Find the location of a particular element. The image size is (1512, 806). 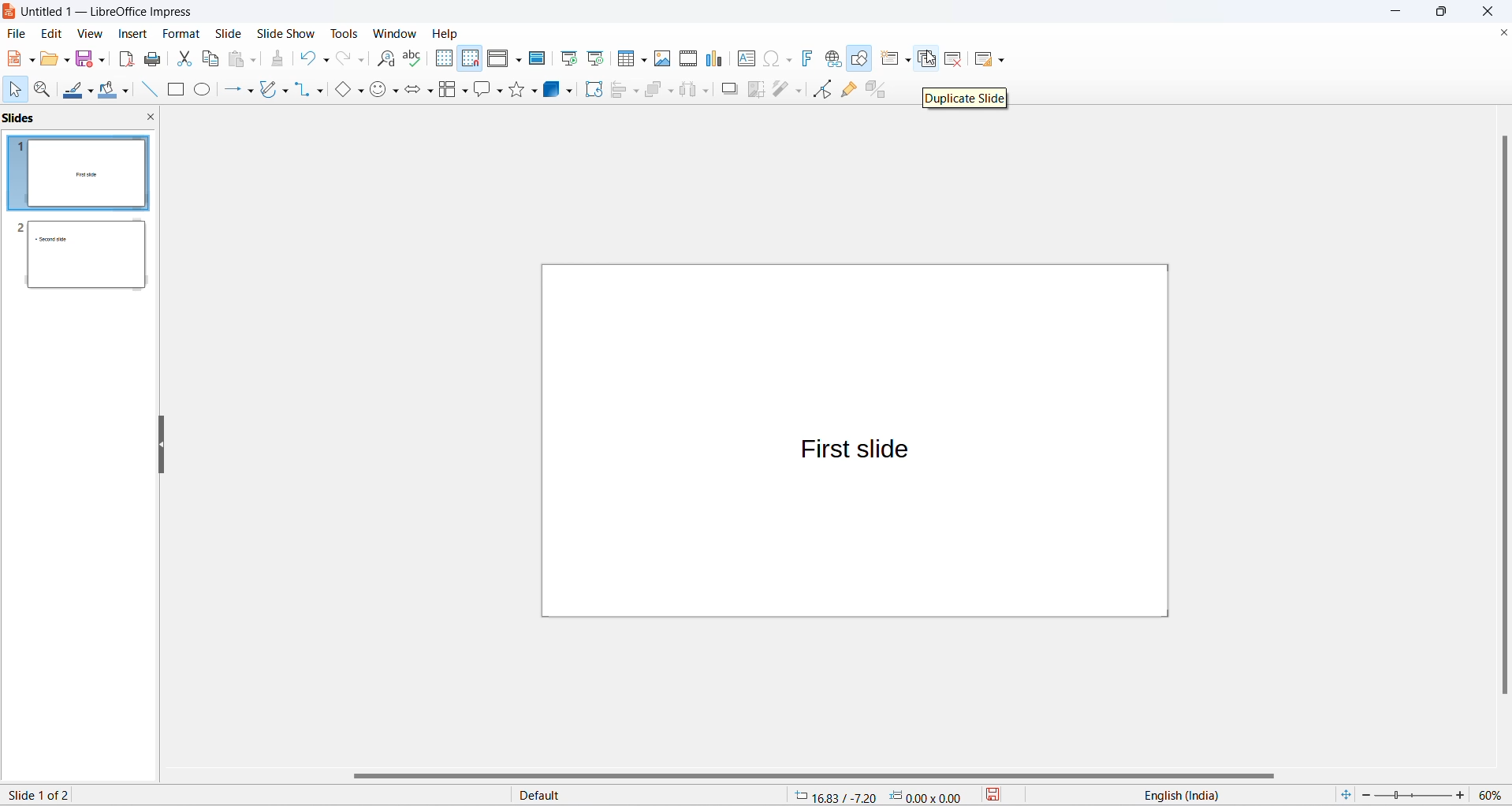

show gluepoint functions is located at coordinates (850, 89).